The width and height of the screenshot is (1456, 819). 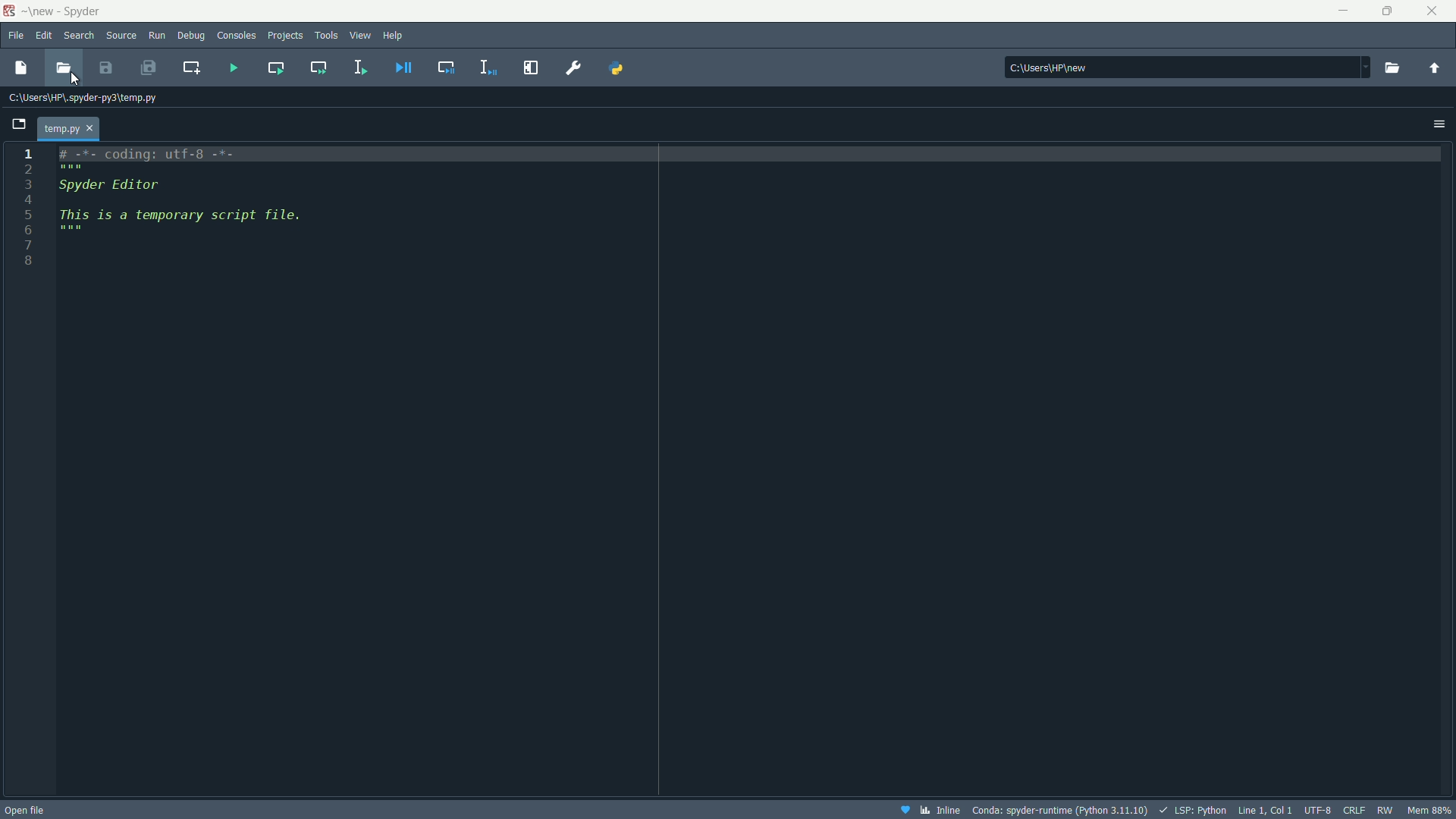 What do you see at coordinates (318, 67) in the screenshot?
I see `Run current cell and go to the next one` at bounding box center [318, 67].